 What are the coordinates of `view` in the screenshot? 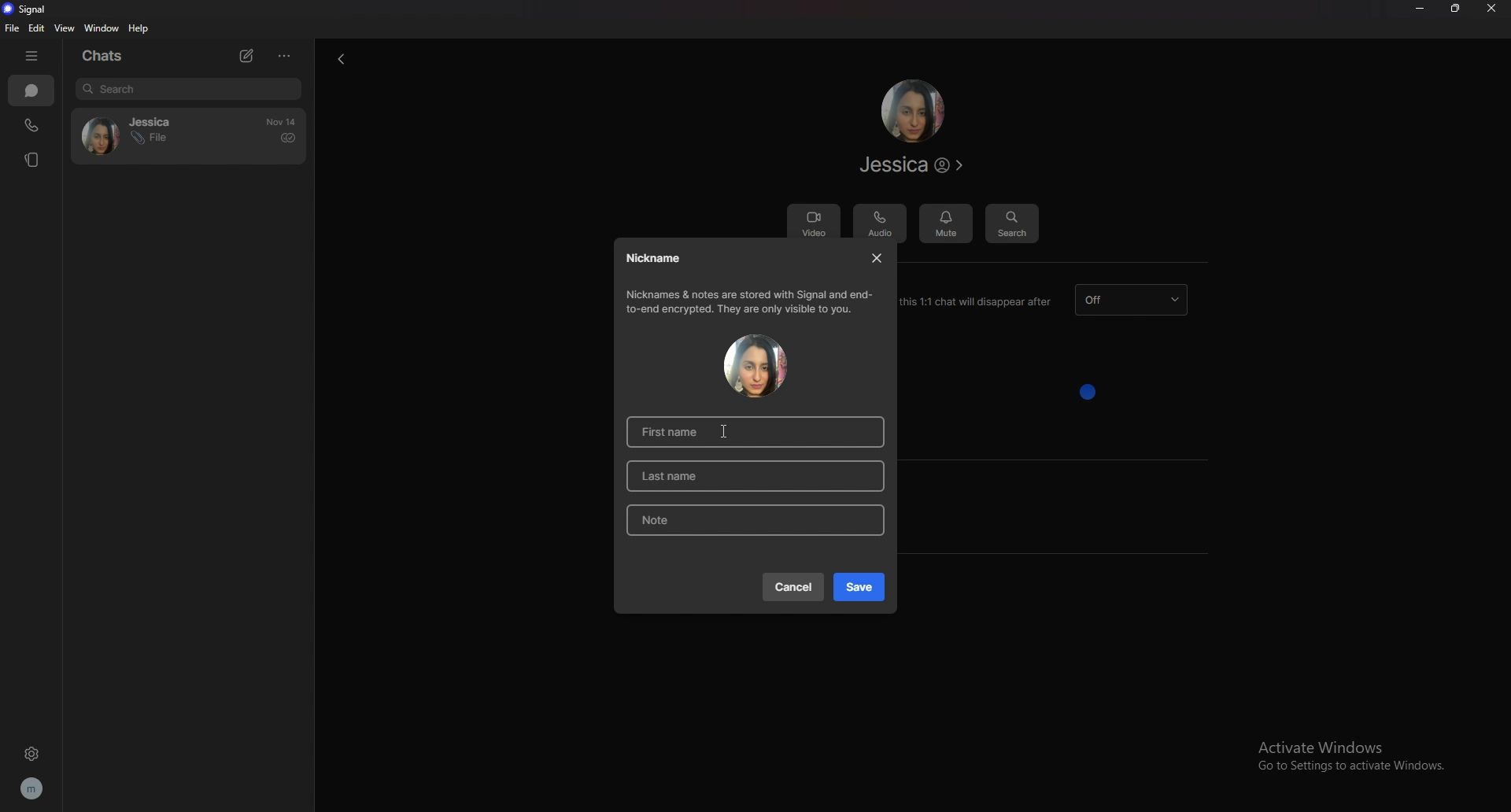 It's located at (66, 28).